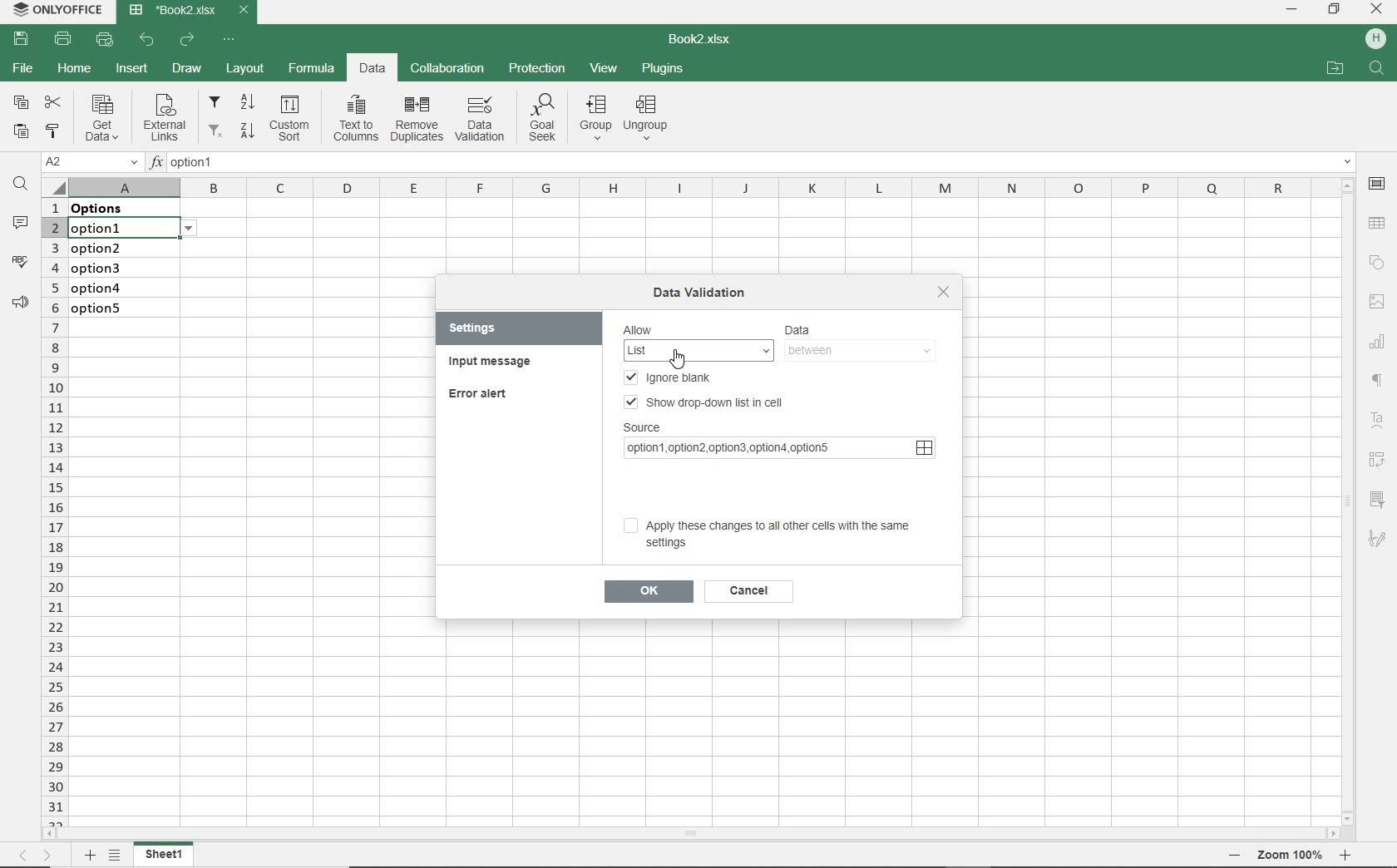 The height and width of the screenshot is (868, 1397). Describe the element at coordinates (1378, 70) in the screenshot. I see `search` at that location.